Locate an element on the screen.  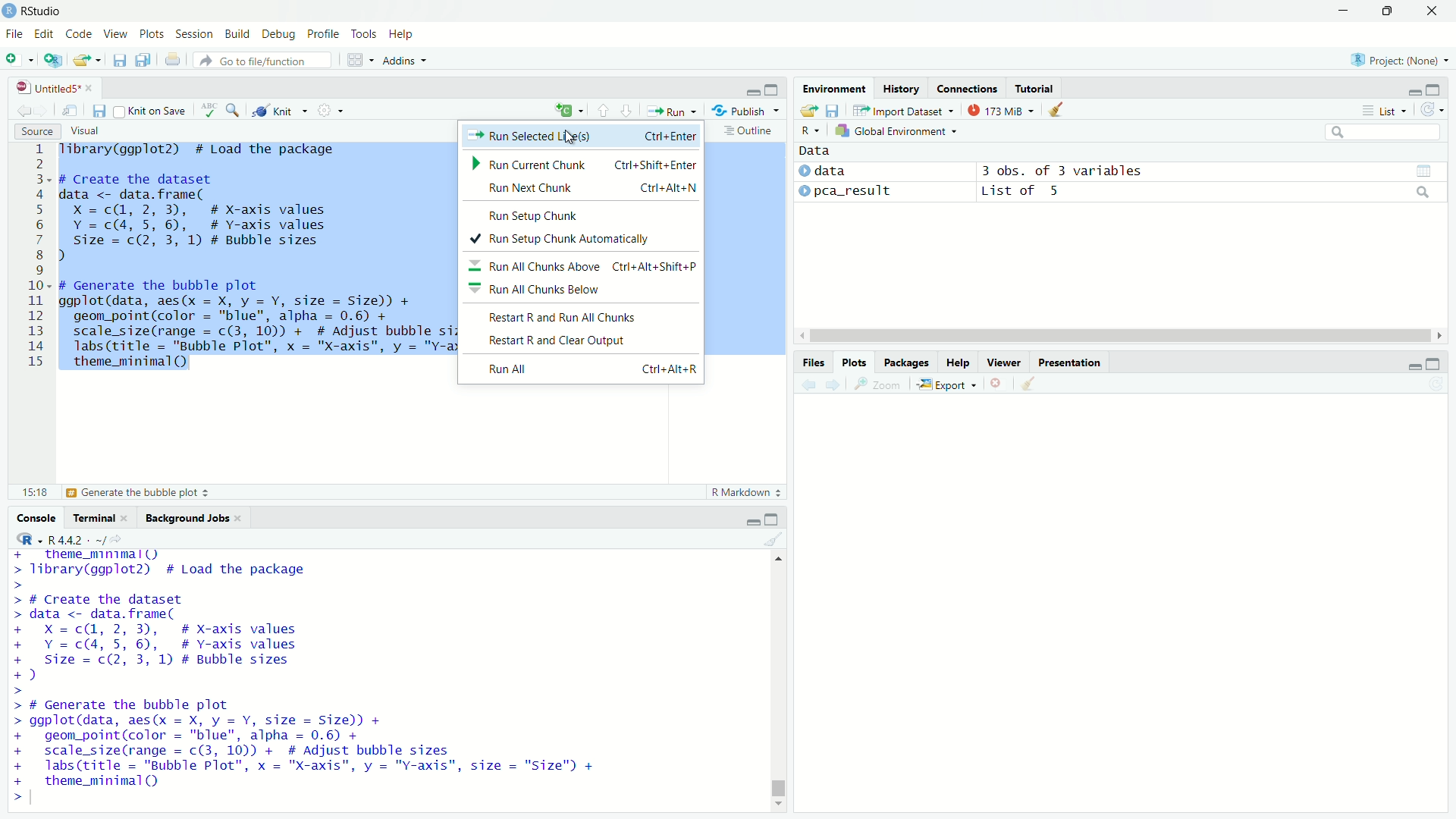
packages is located at coordinates (906, 362).